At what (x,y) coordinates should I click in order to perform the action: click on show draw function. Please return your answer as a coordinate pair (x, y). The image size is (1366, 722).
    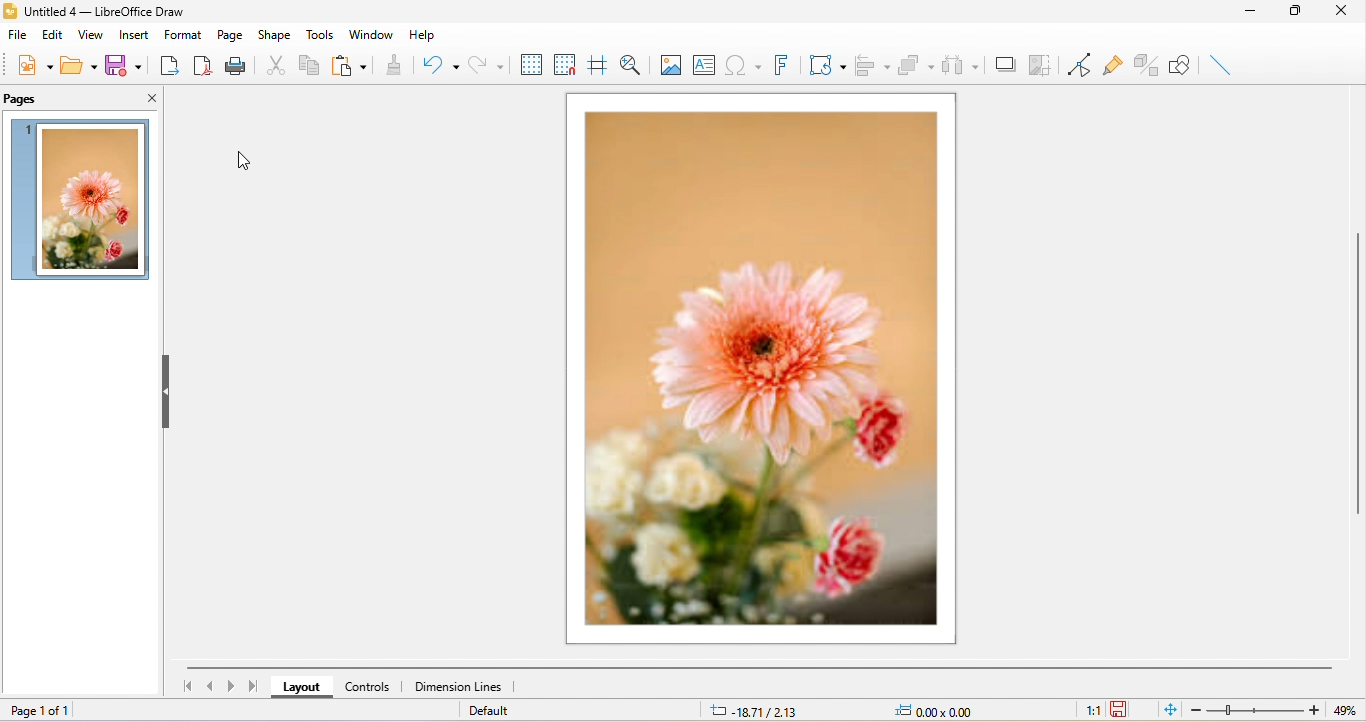
    Looking at the image, I should click on (1179, 64).